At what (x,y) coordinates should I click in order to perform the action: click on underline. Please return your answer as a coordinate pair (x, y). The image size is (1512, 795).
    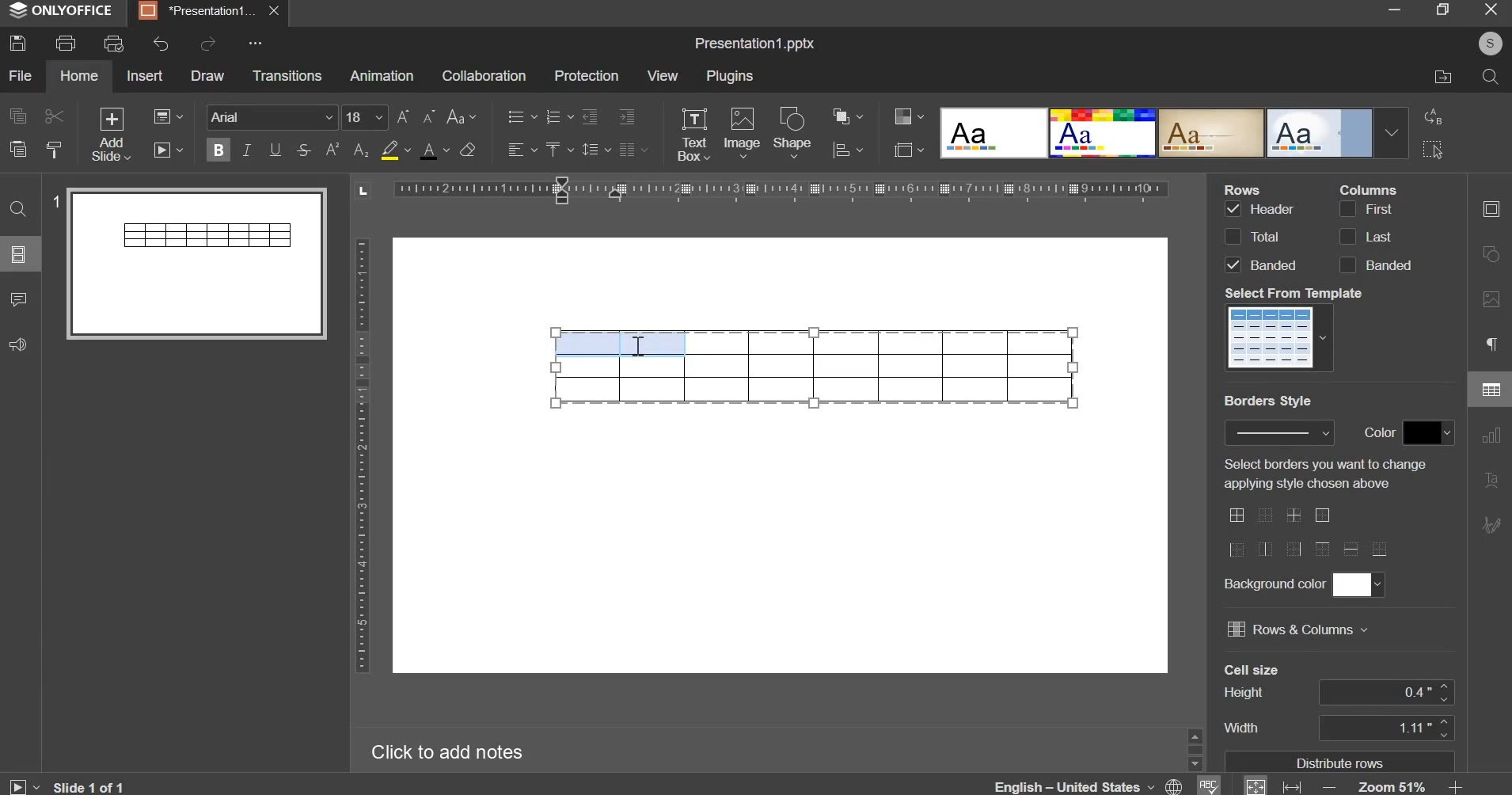
    Looking at the image, I should click on (274, 149).